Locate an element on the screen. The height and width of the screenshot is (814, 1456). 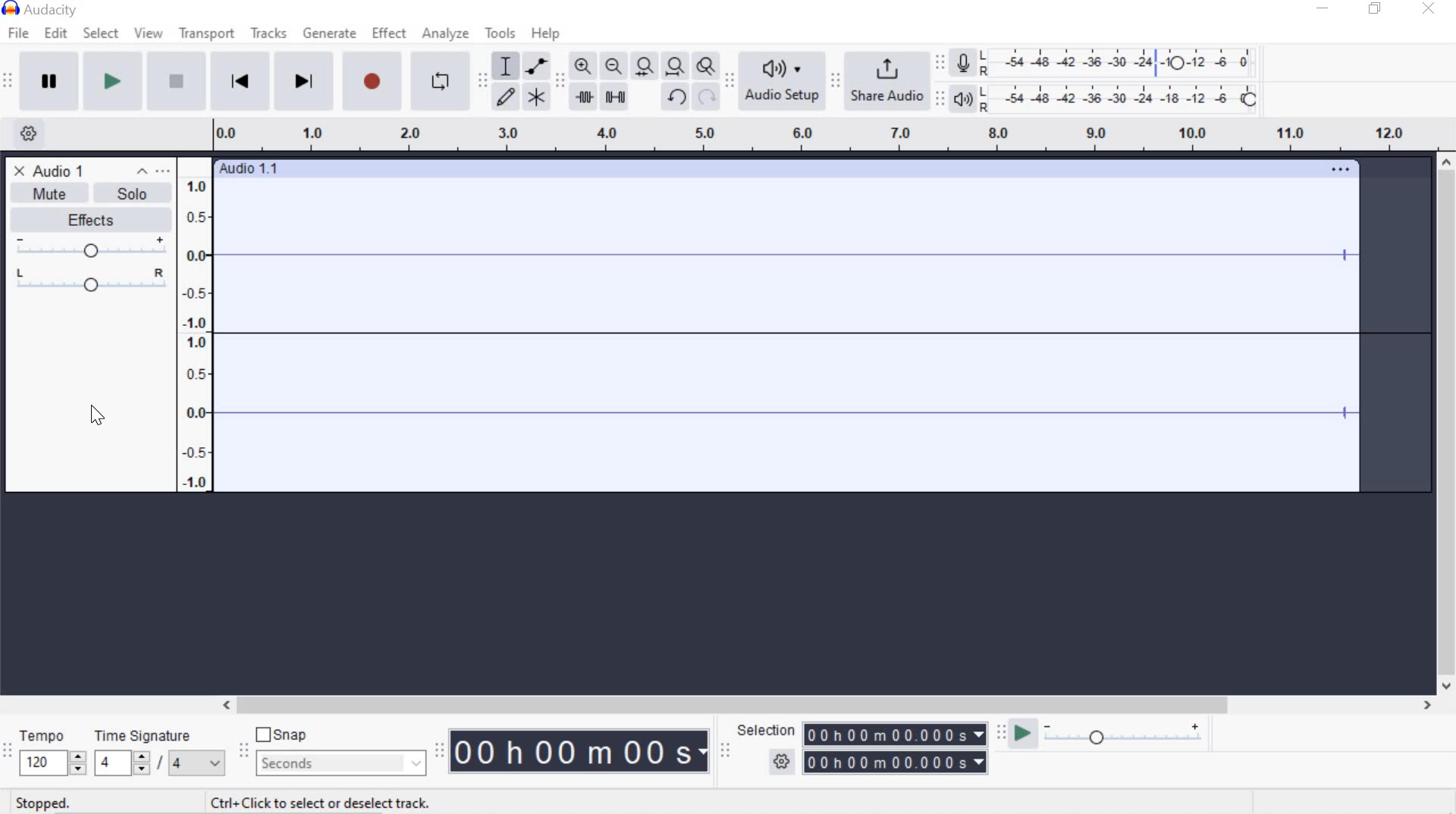
EFFECTS is located at coordinates (87, 218).